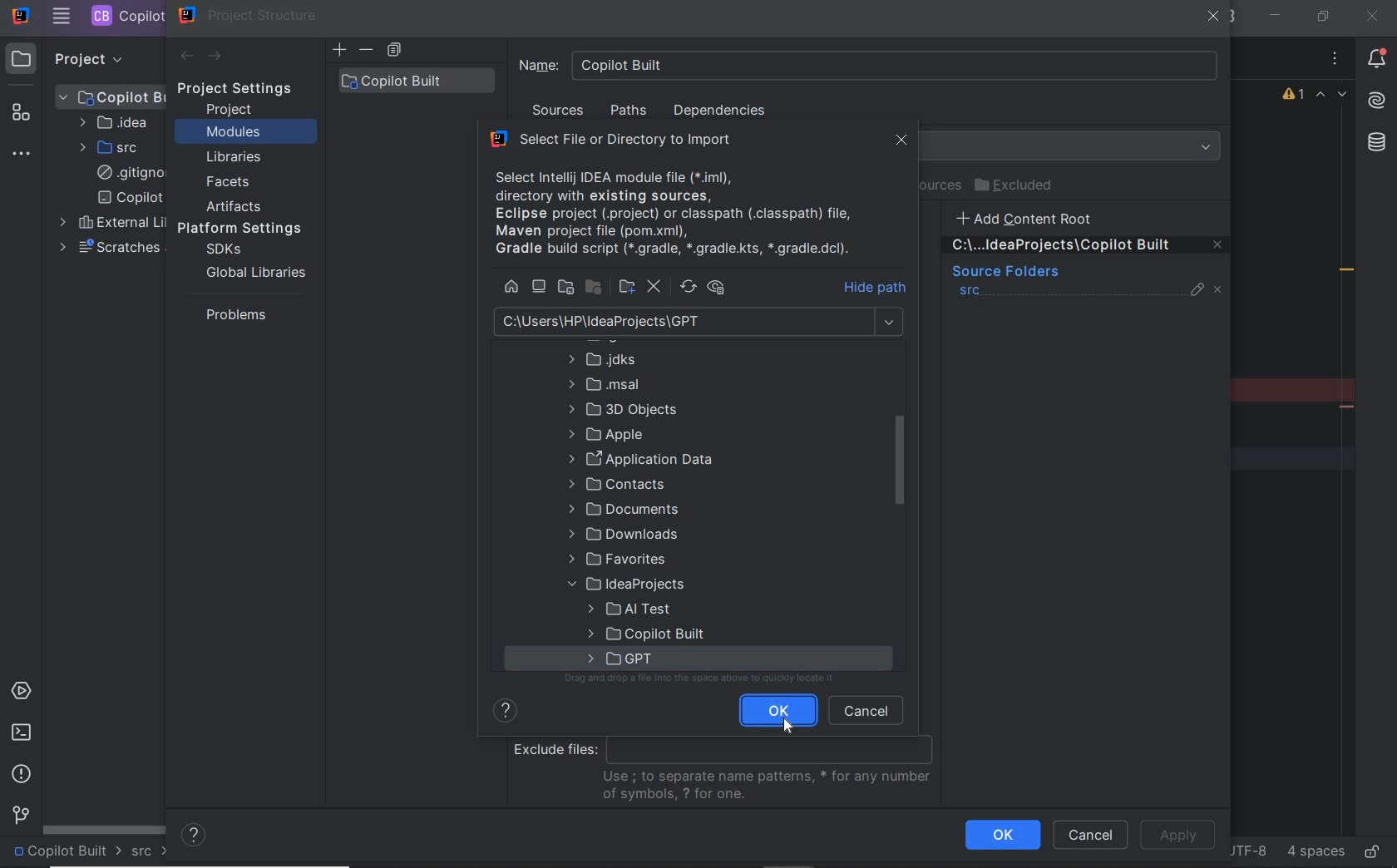 This screenshot has height=868, width=1397. Describe the element at coordinates (22, 774) in the screenshot. I see `problems` at that location.